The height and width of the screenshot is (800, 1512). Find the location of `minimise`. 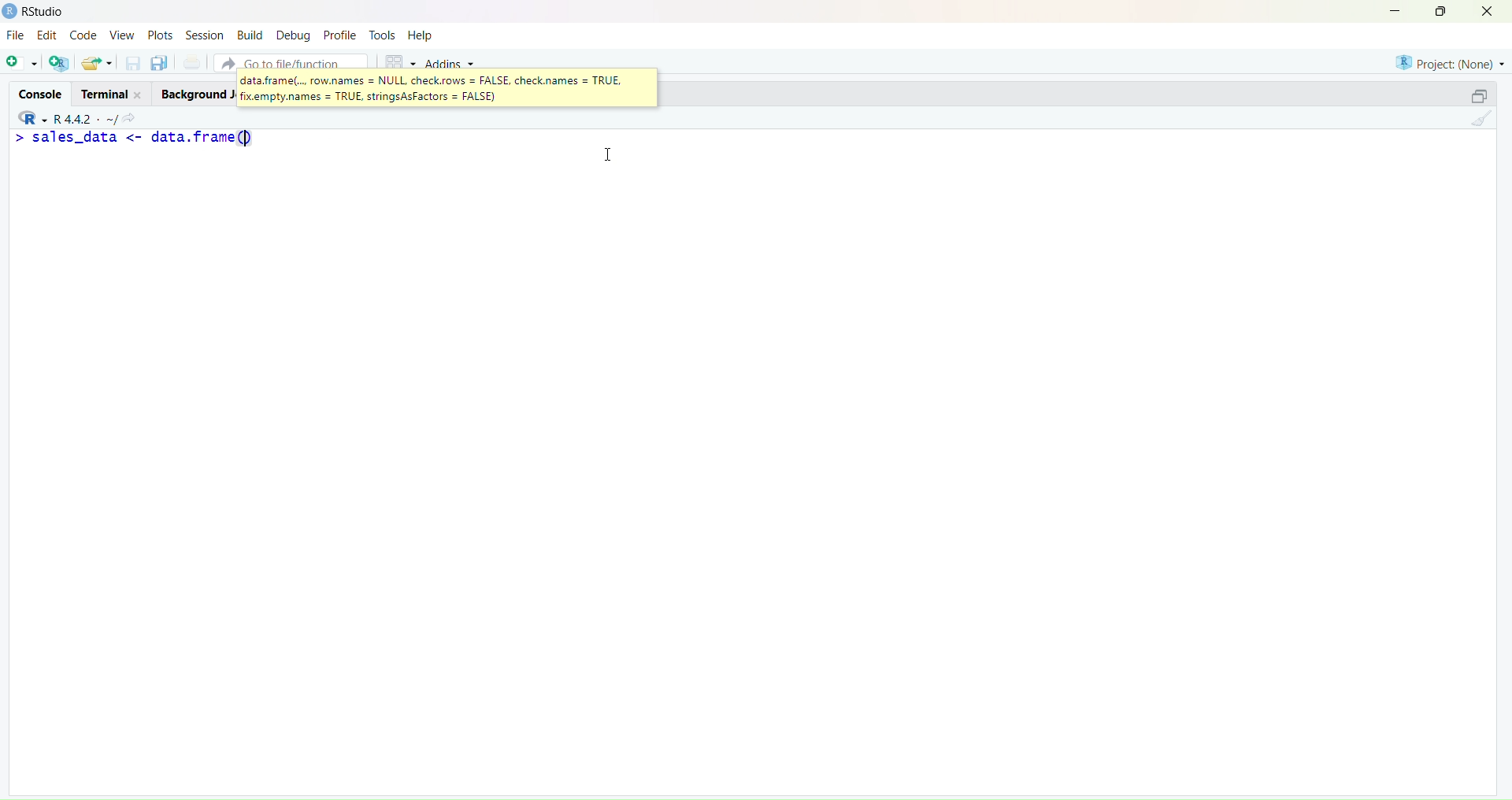

minimise is located at coordinates (1385, 9).